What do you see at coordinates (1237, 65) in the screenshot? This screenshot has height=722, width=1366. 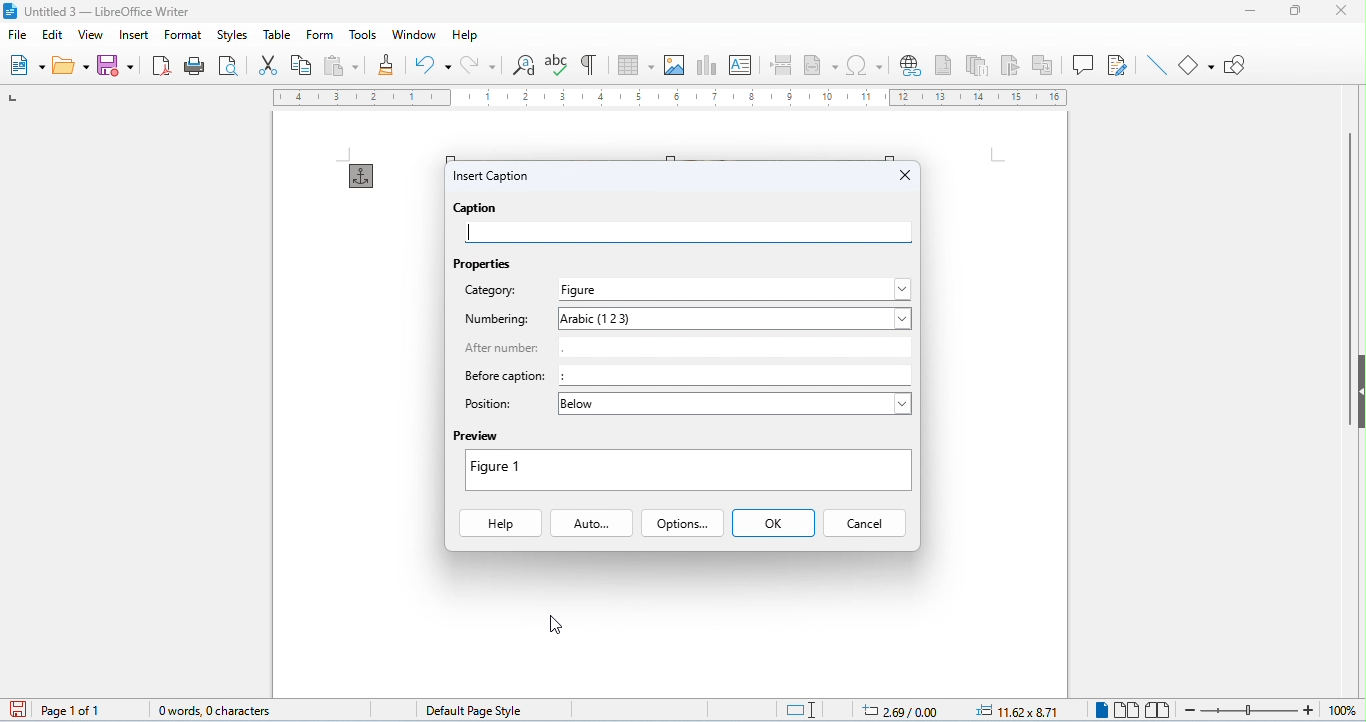 I see `show draw functions` at bounding box center [1237, 65].